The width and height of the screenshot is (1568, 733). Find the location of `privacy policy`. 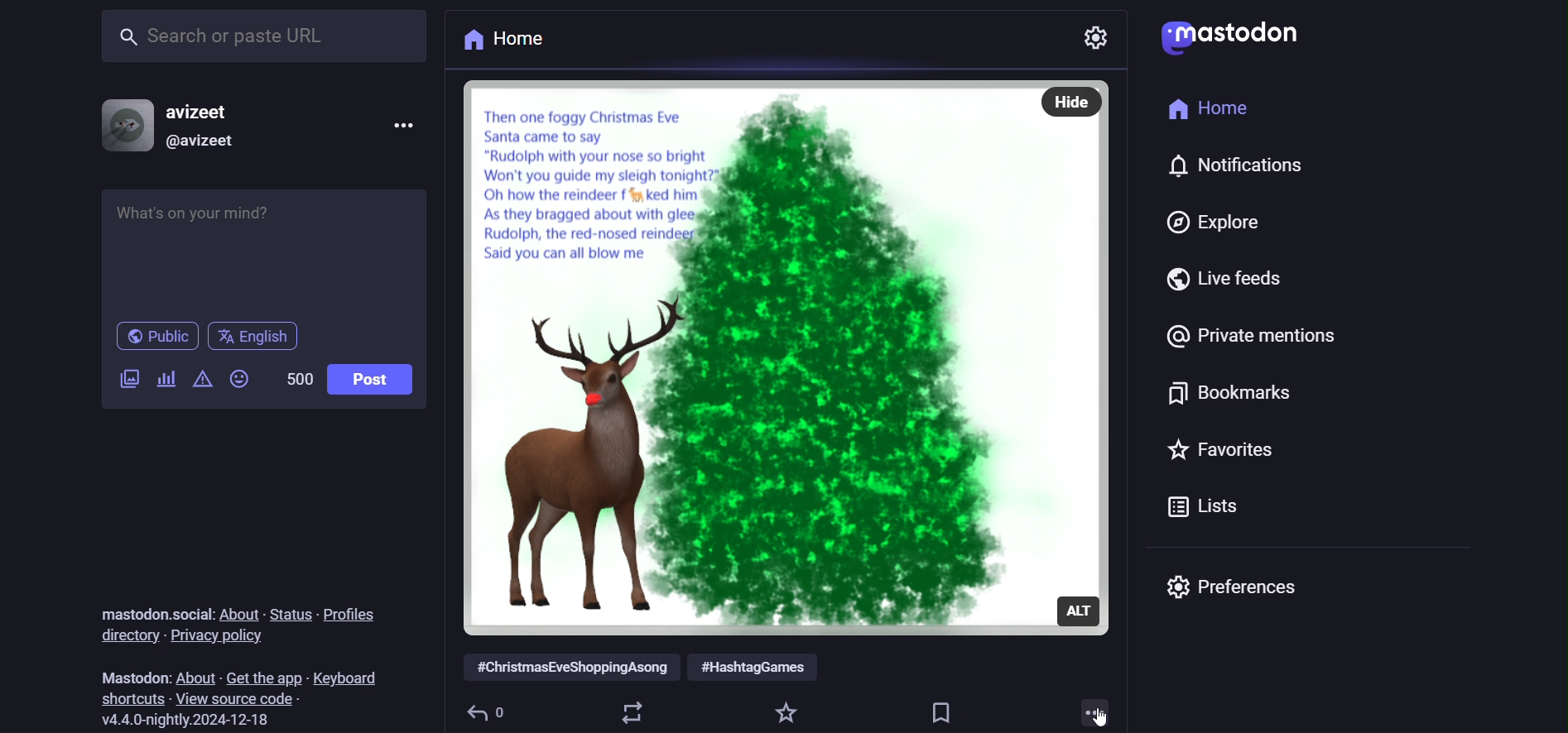

privacy policy is located at coordinates (218, 637).